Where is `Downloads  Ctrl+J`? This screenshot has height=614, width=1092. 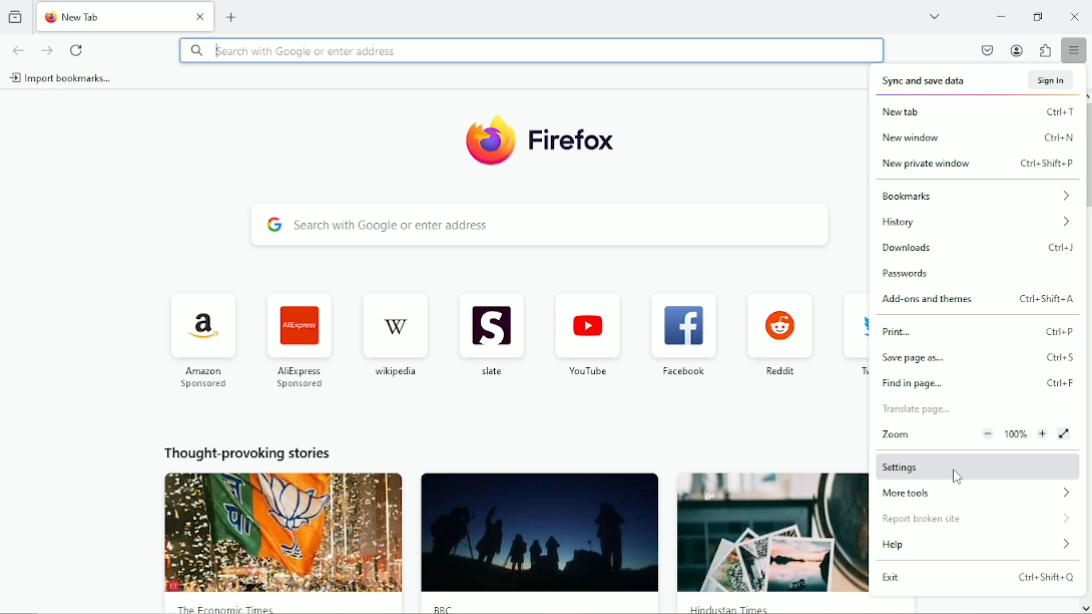 Downloads  Ctrl+J is located at coordinates (978, 246).